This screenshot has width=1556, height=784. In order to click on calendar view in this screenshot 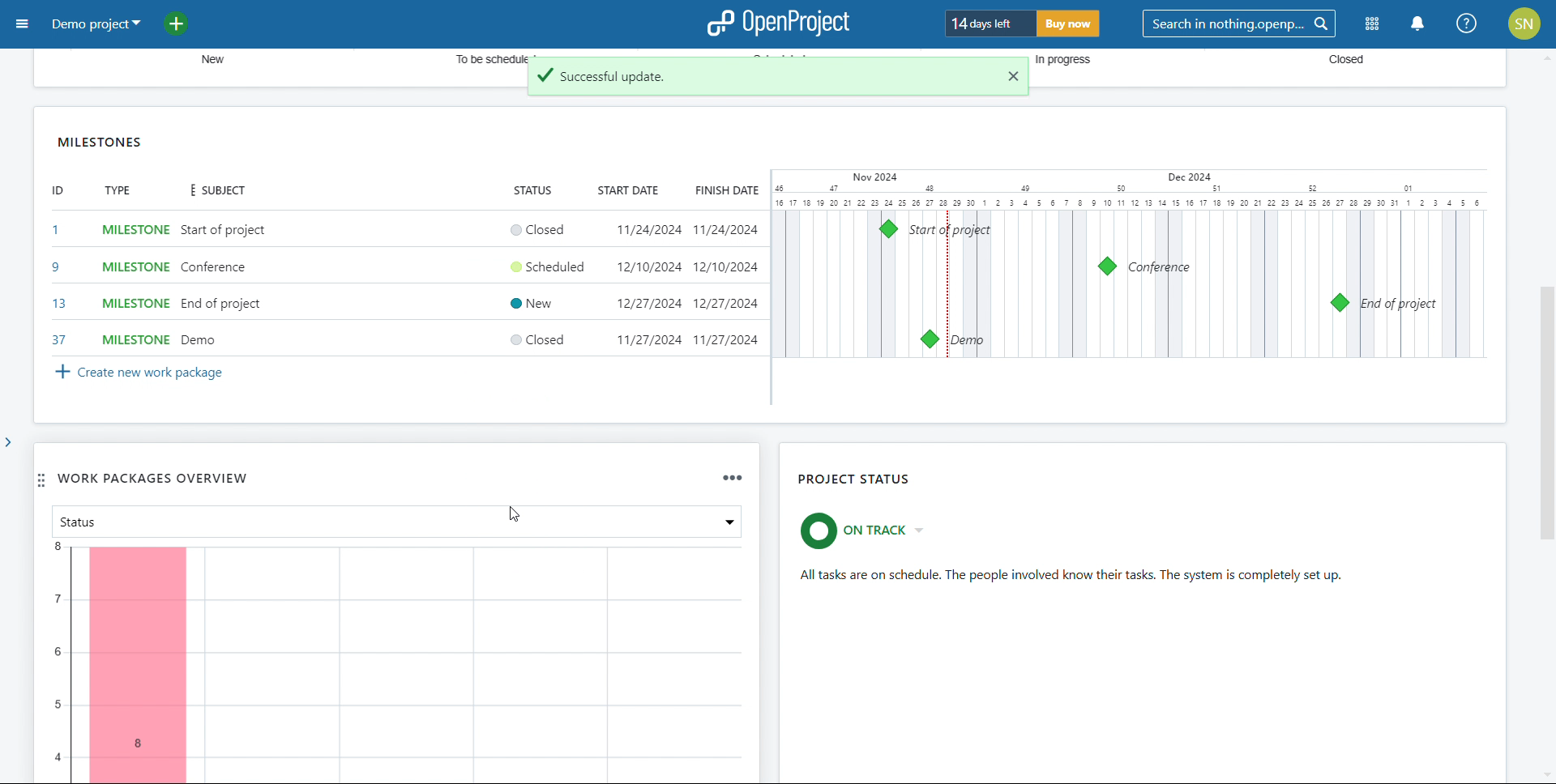, I will do `click(1131, 263)`.